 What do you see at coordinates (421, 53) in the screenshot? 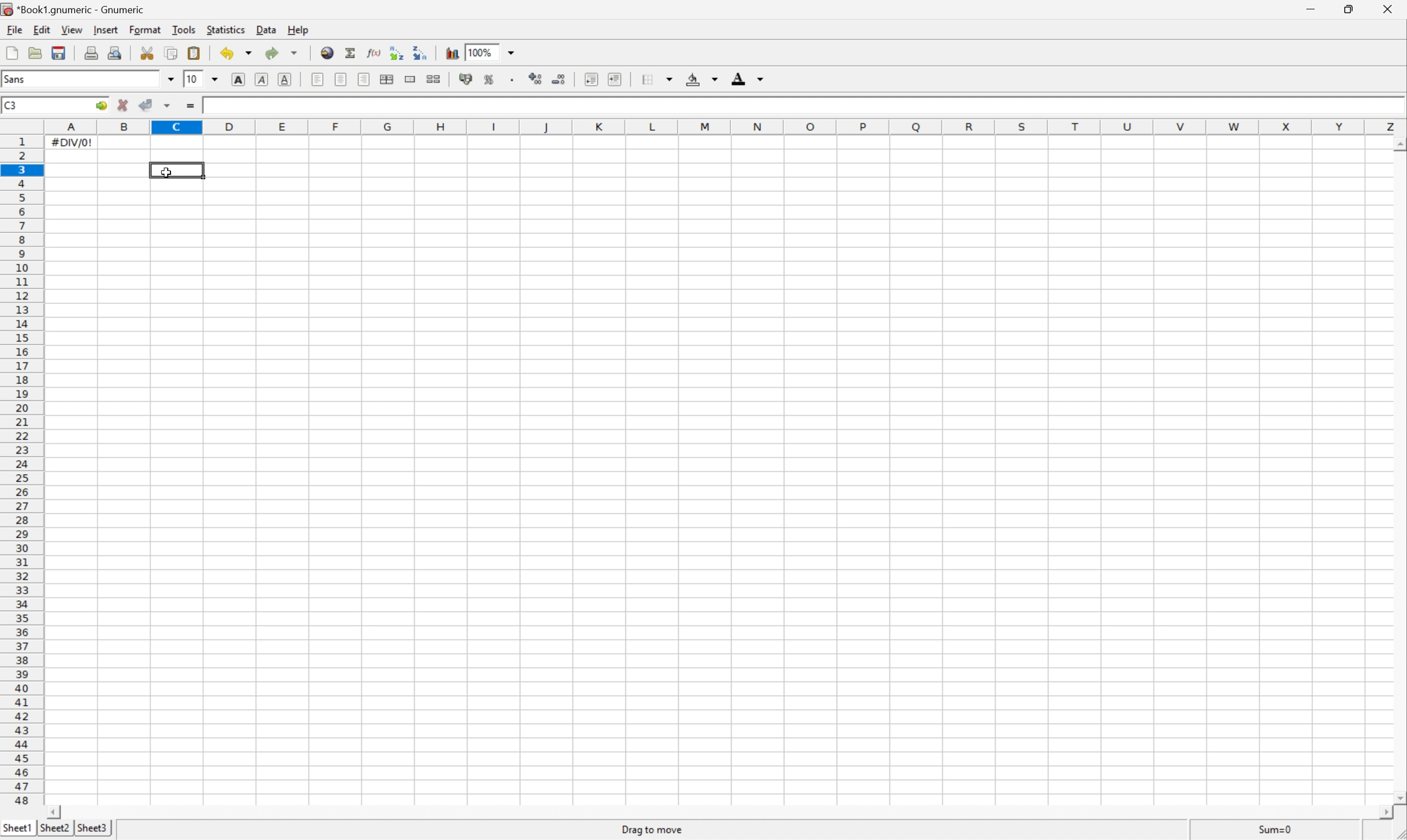
I see `Sort the selected region in descending order based on the first column selected` at bounding box center [421, 53].